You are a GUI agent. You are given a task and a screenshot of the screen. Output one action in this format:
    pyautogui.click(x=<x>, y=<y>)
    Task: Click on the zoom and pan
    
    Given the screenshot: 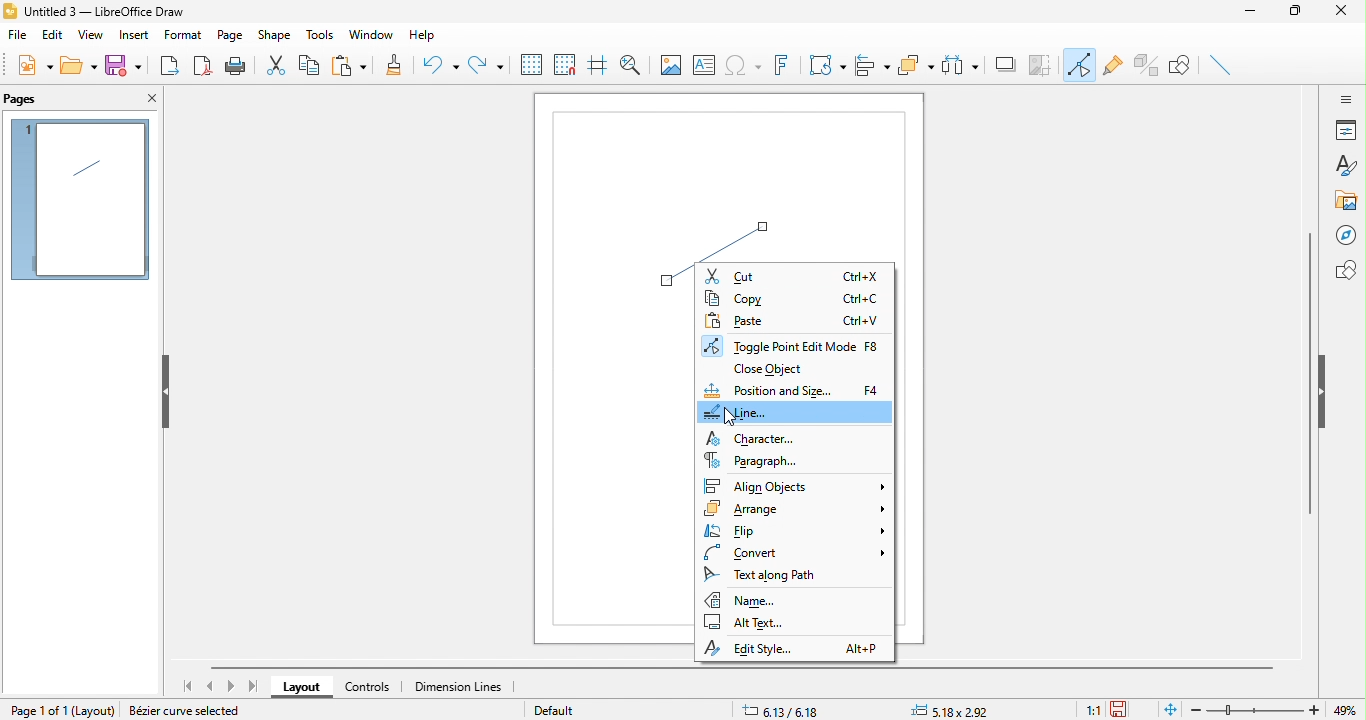 What is the action you would take?
    pyautogui.click(x=630, y=62)
    